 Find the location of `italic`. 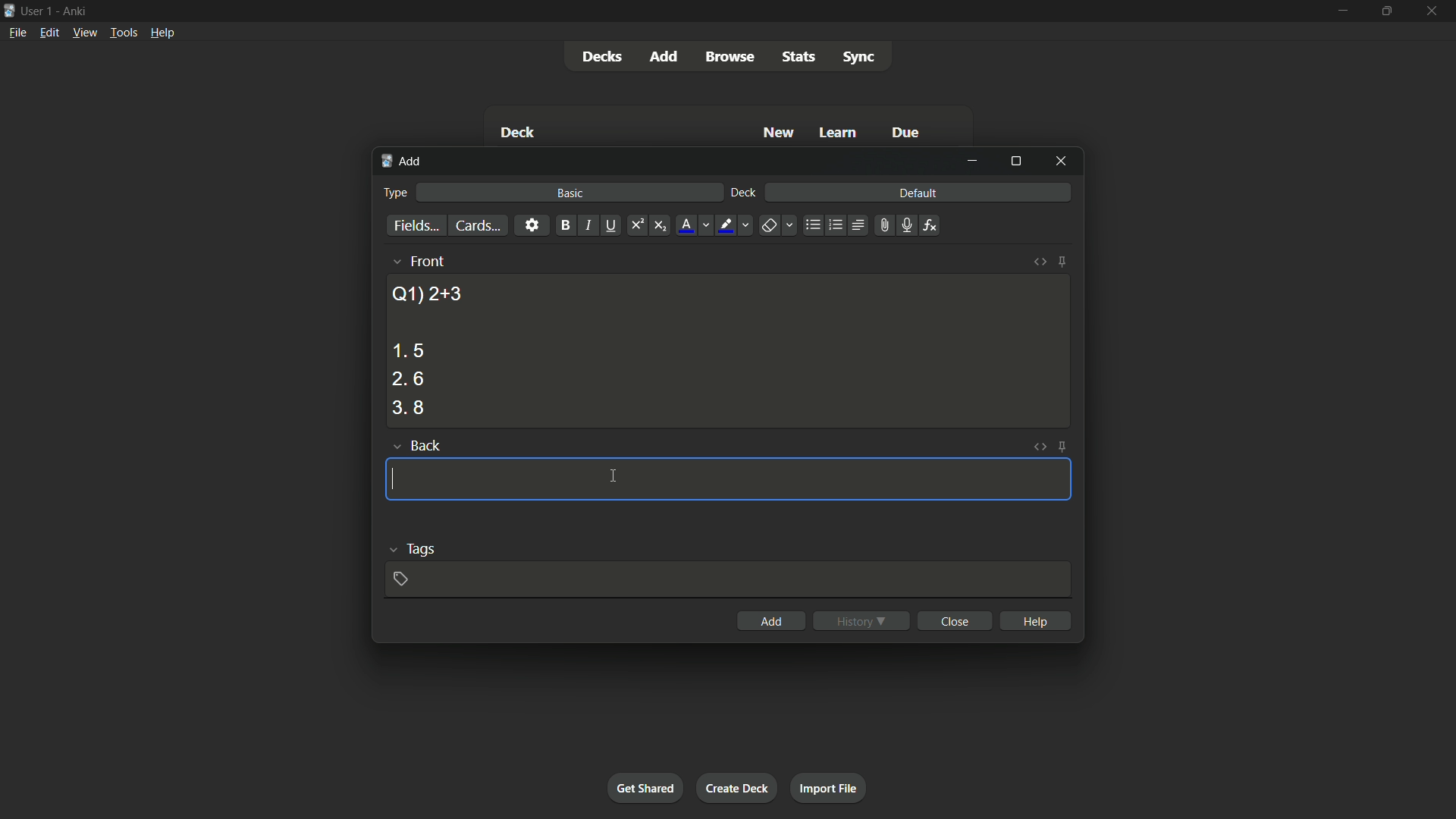

italic is located at coordinates (587, 225).